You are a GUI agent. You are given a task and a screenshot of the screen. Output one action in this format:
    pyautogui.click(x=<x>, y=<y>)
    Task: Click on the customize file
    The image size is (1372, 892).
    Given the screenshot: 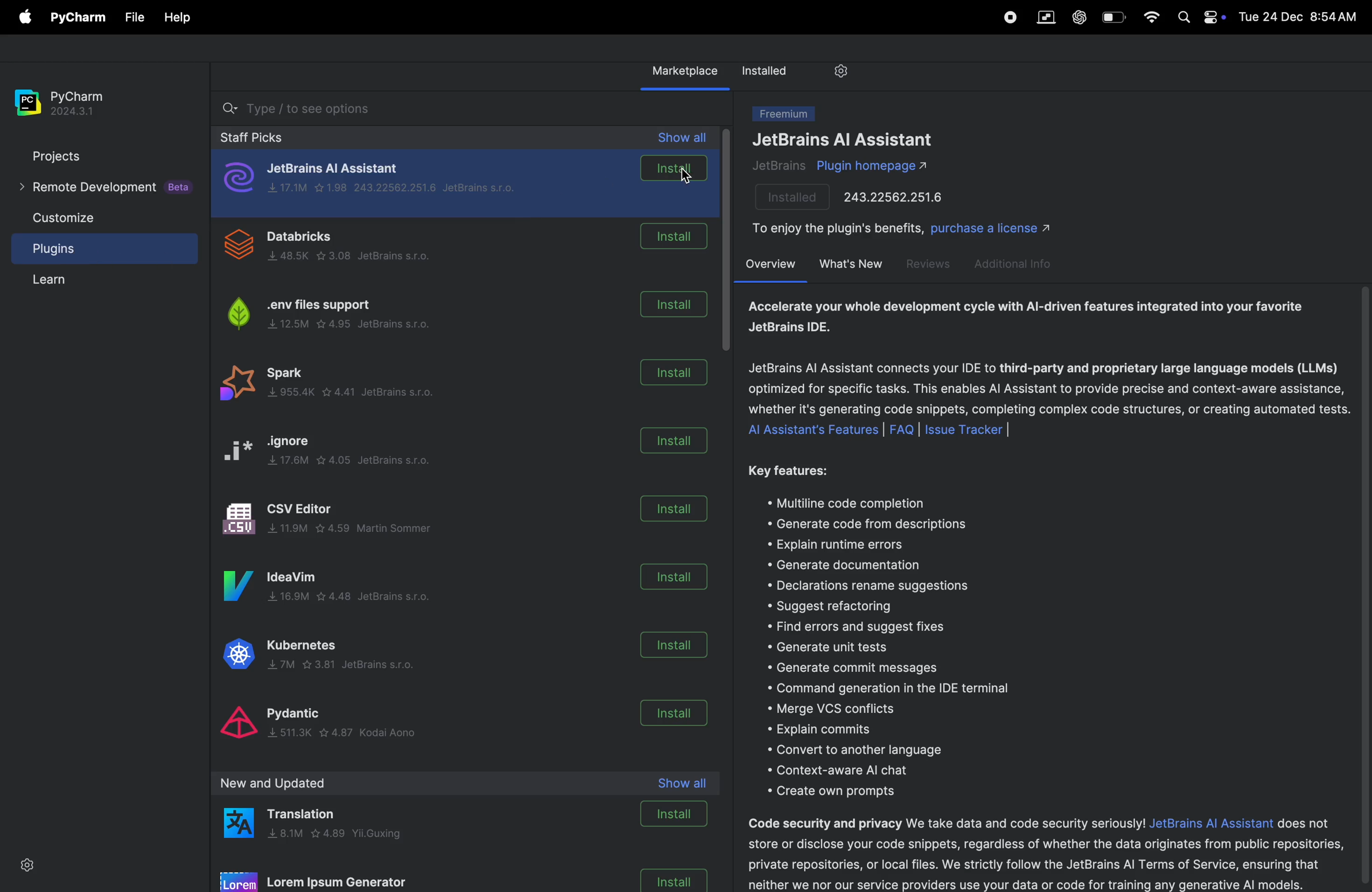 What is the action you would take?
    pyautogui.click(x=89, y=220)
    